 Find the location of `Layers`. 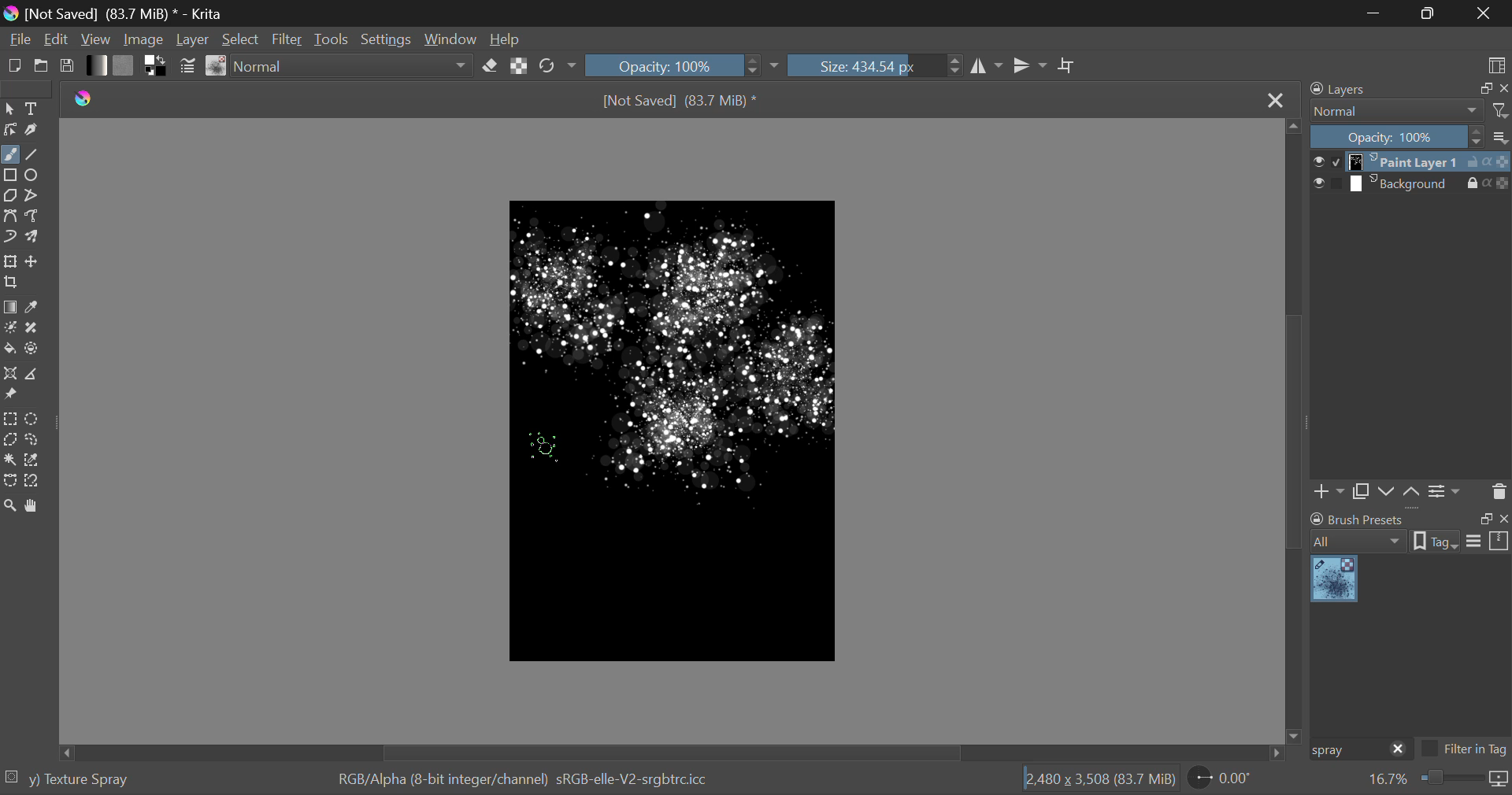

Layers is located at coordinates (1347, 88).